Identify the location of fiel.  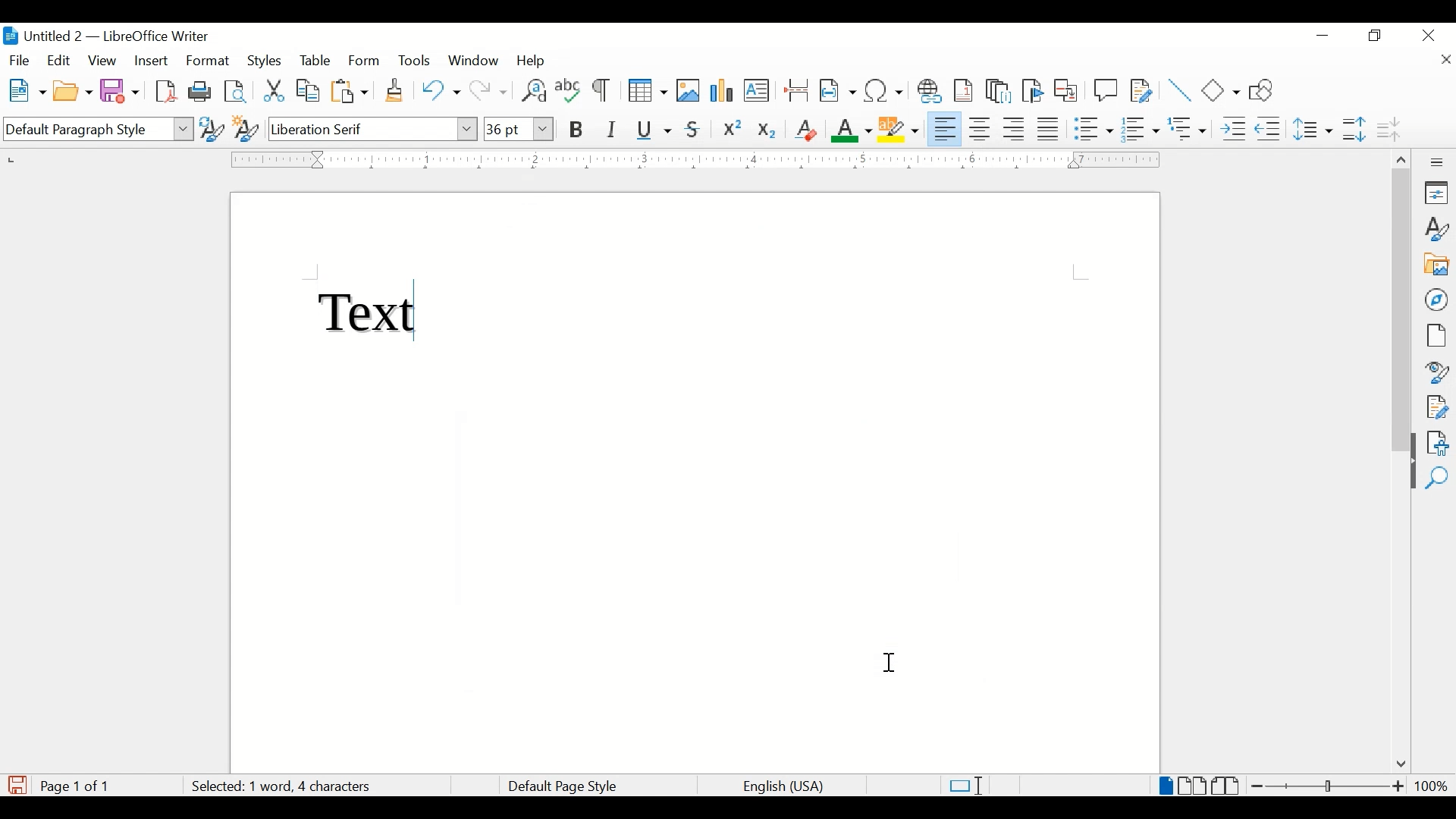
(20, 61).